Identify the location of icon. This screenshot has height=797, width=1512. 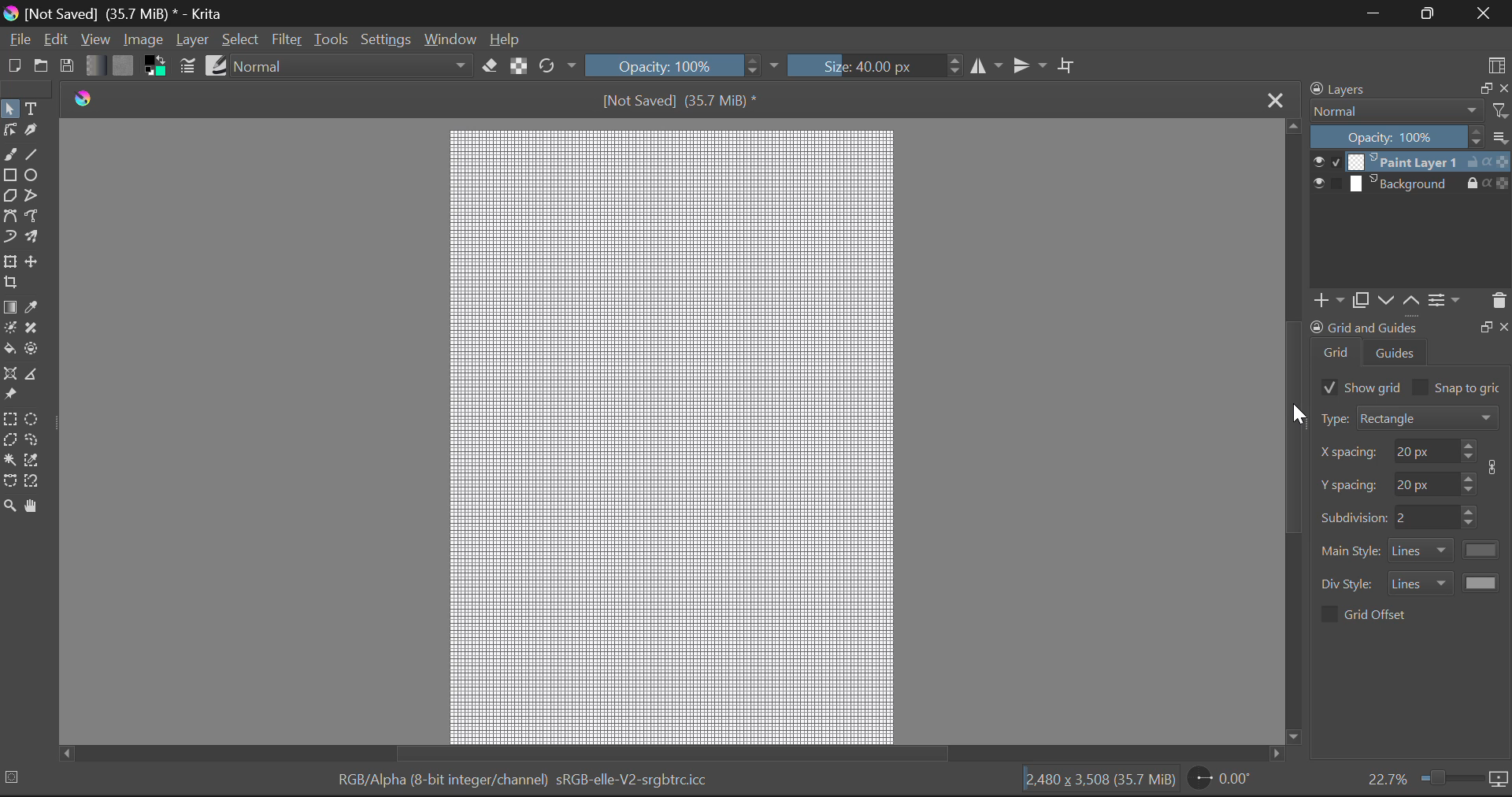
(1499, 780).